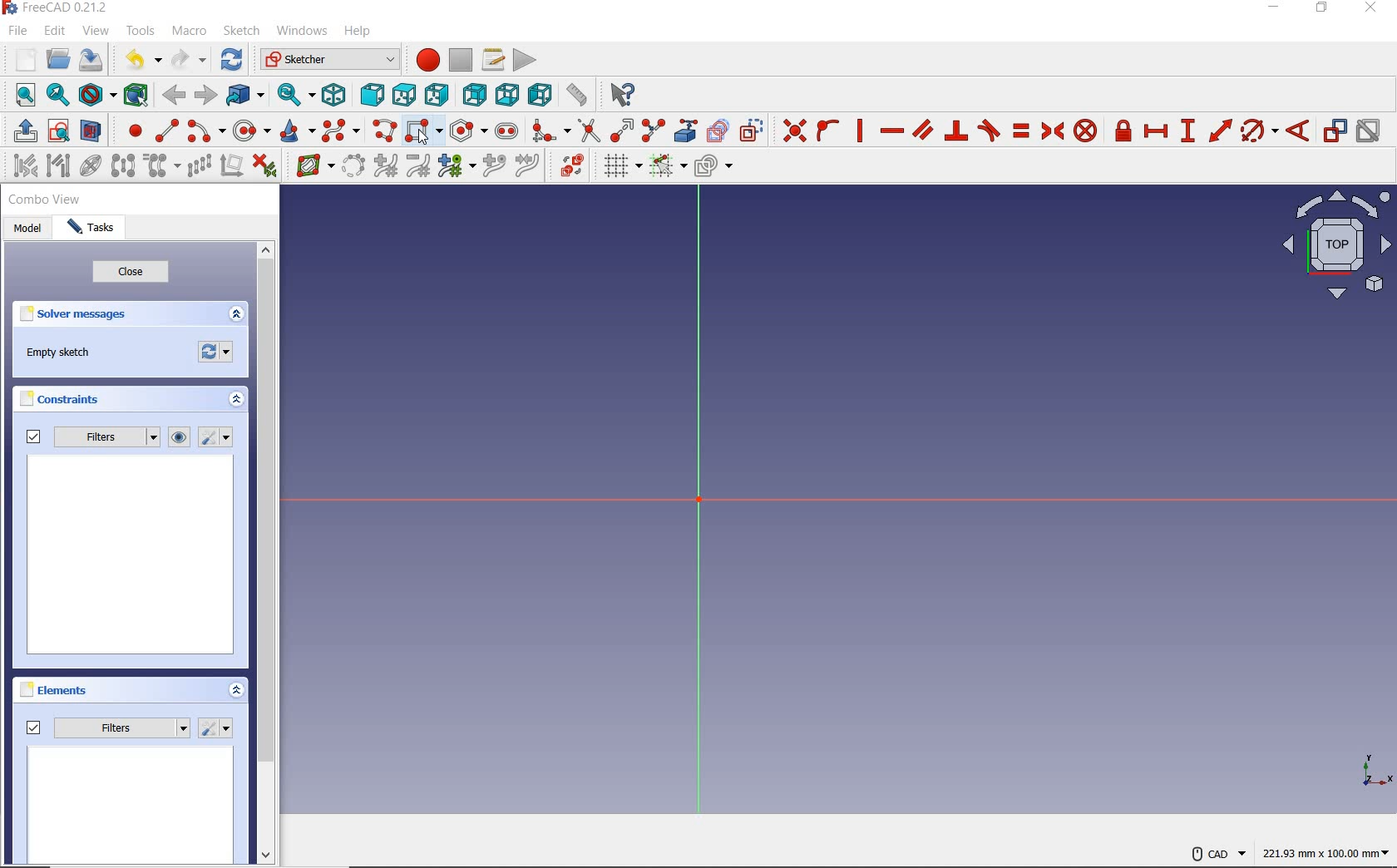 Image resolution: width=1397 pixels, height=868 pixels. What do you see at coordinates (216, 356) in the screenshot?
I see `forces recomputation of active document` at bounding box center [216, 356].